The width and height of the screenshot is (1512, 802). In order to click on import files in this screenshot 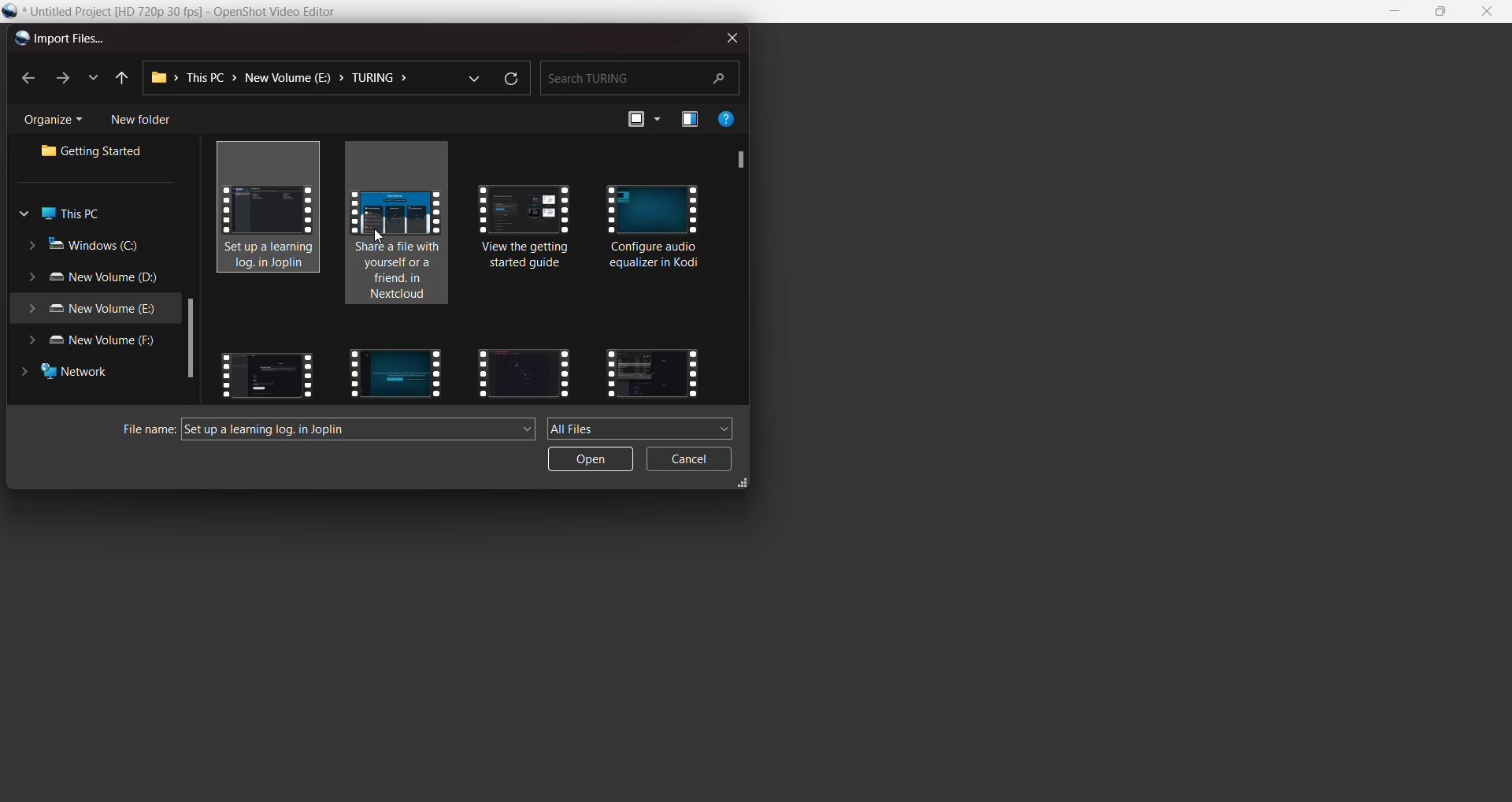, I will do `click(58, 39)`.